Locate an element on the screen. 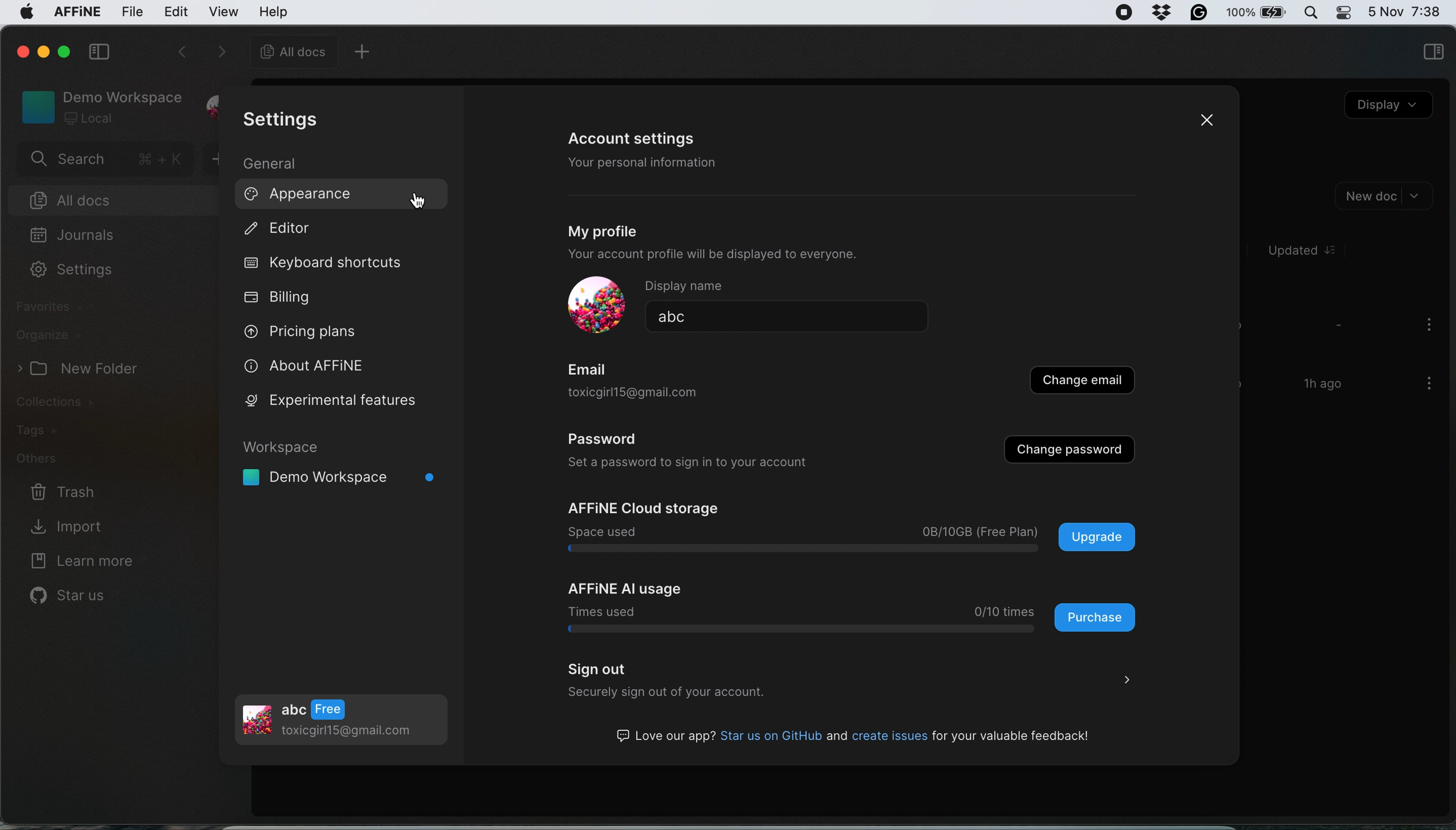 This screenshot has height=830, width=1456. Times used is located at coordinates (604, 612).